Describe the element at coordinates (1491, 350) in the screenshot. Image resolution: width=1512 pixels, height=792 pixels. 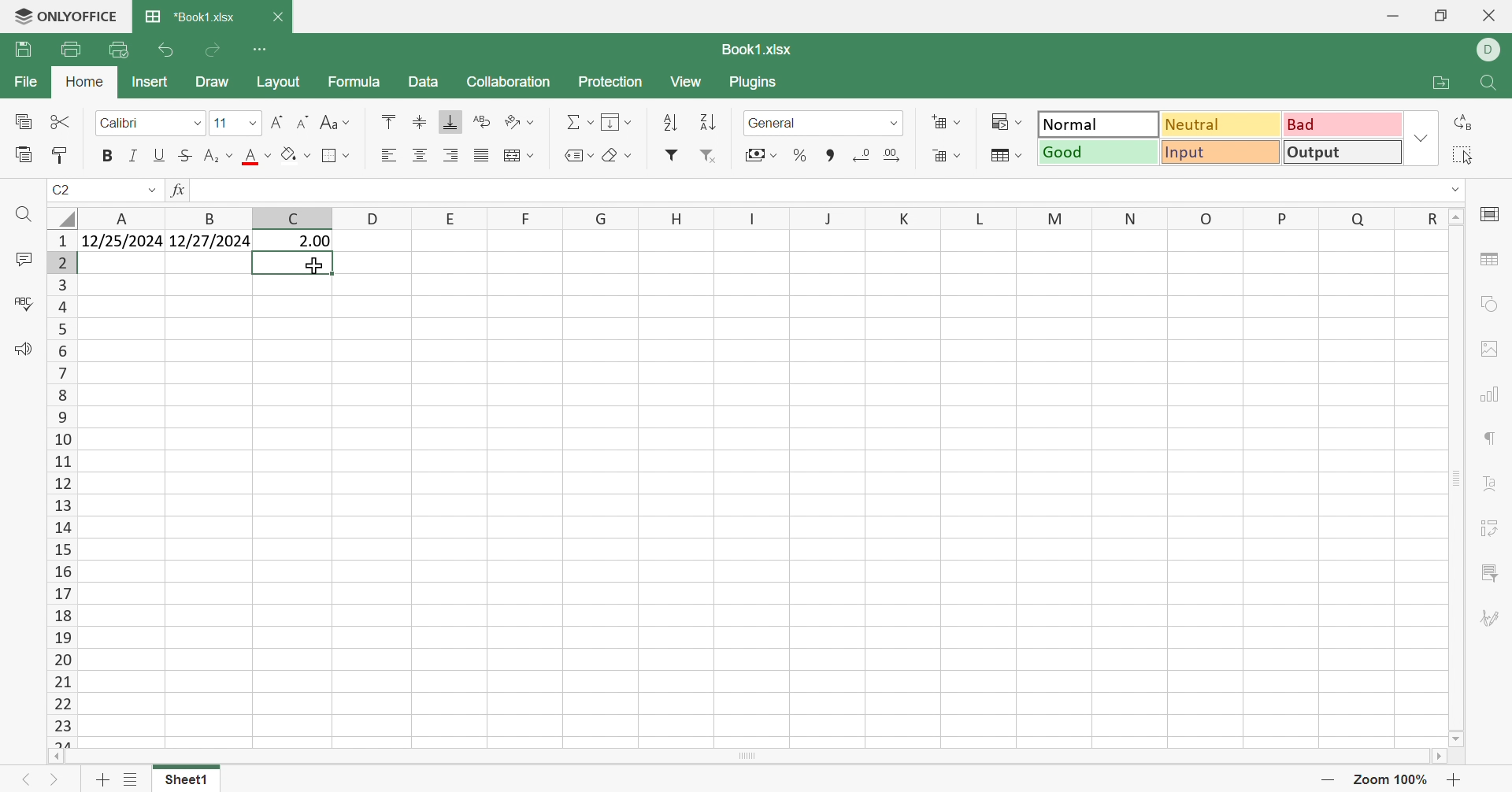
I see `Image settings` at that location.